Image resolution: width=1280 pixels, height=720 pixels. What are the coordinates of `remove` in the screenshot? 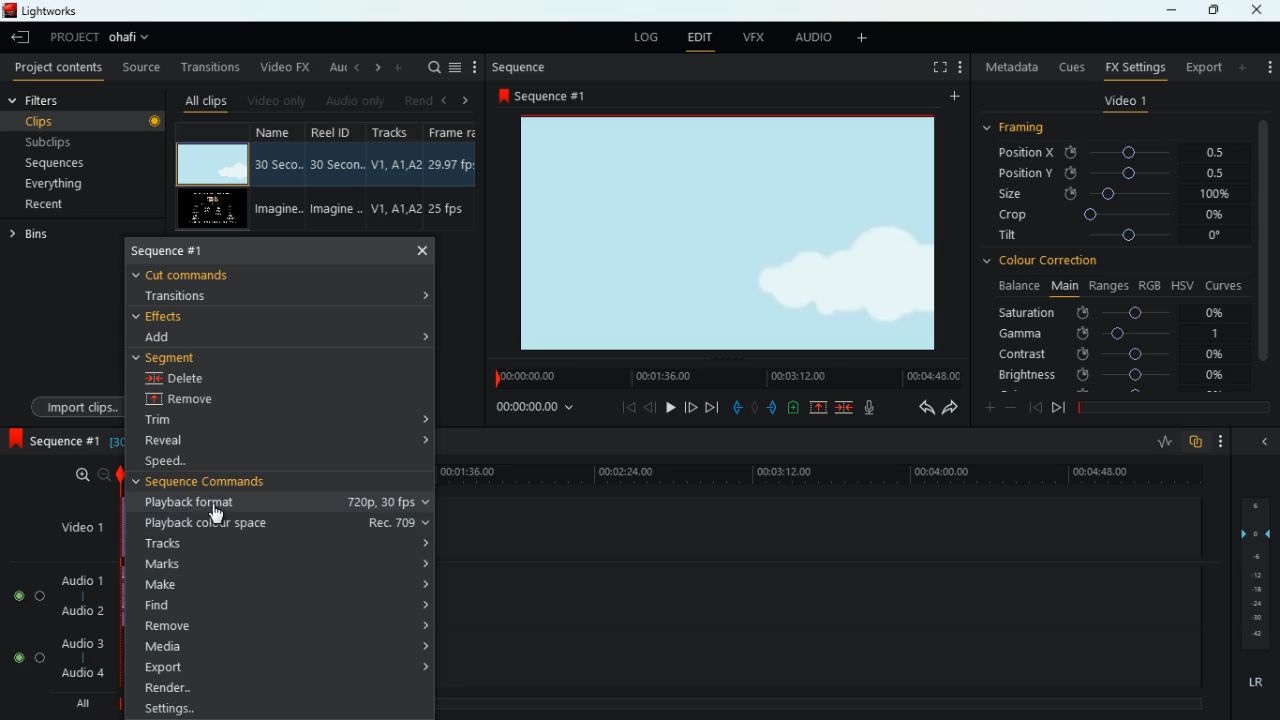 It's located at (190, 399).